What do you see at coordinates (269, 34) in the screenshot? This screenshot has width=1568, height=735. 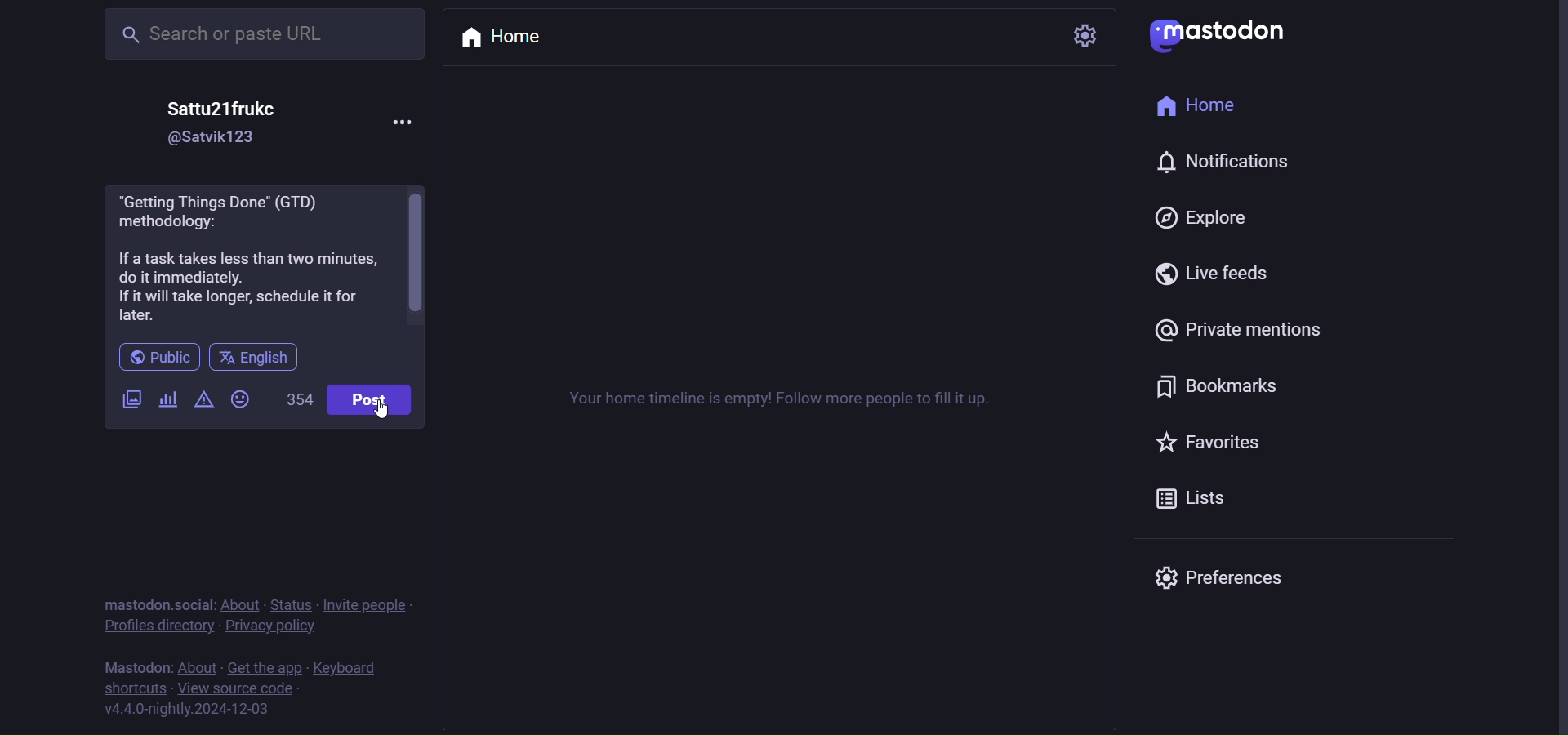 I see `search` at bounding box center [269, 34].